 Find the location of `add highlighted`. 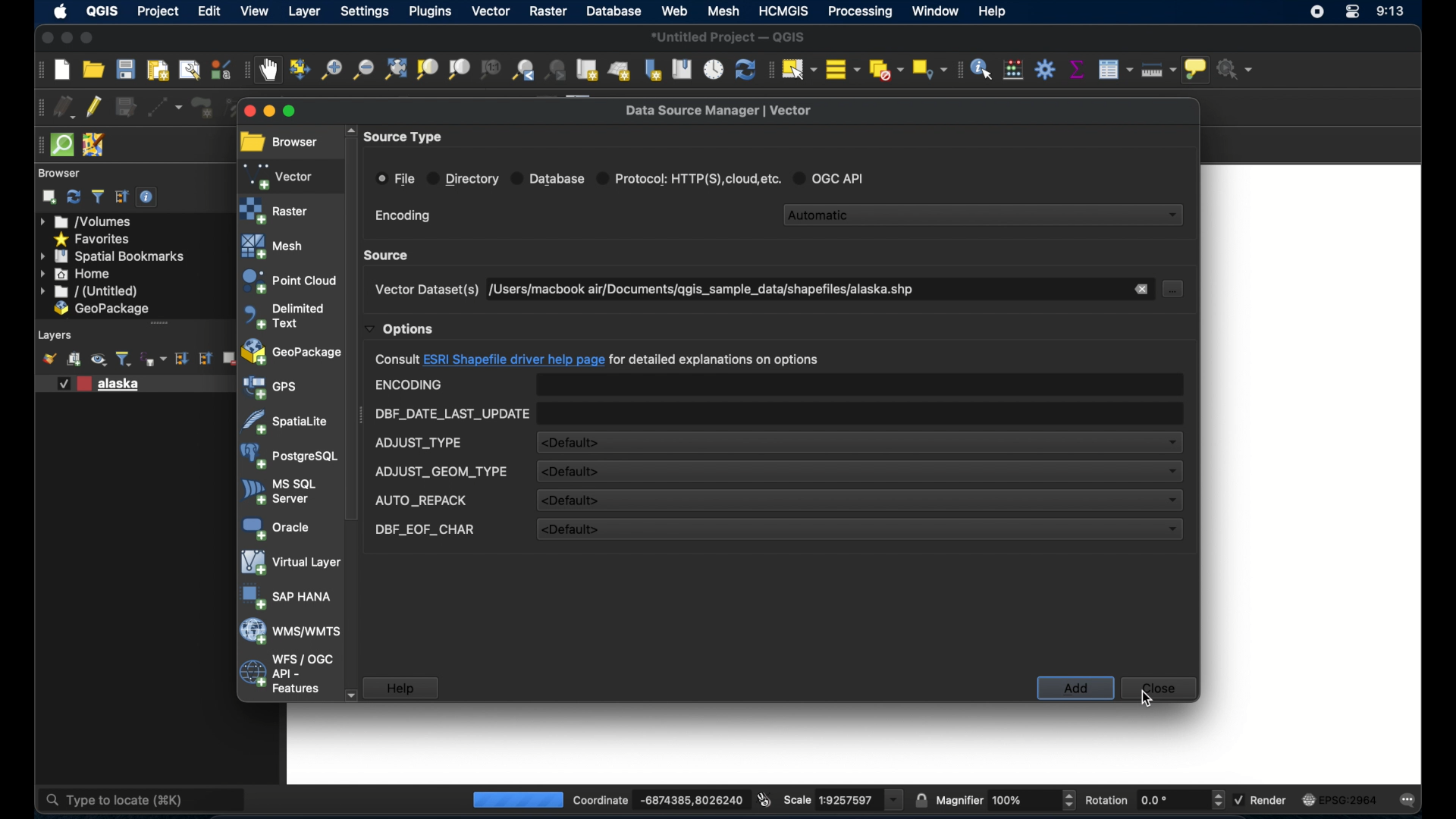

add highlighted is located at coordinates (1076, 689).